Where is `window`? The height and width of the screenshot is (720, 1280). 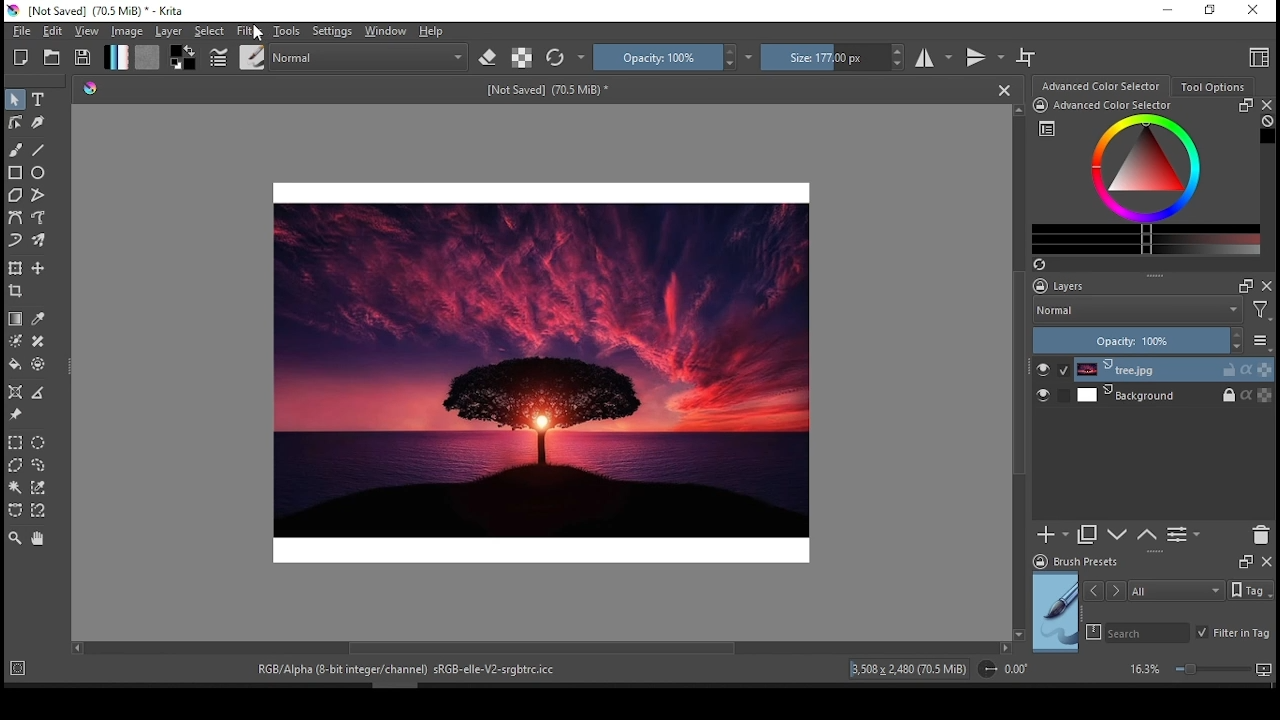
window is located at coordinates (386, 31).